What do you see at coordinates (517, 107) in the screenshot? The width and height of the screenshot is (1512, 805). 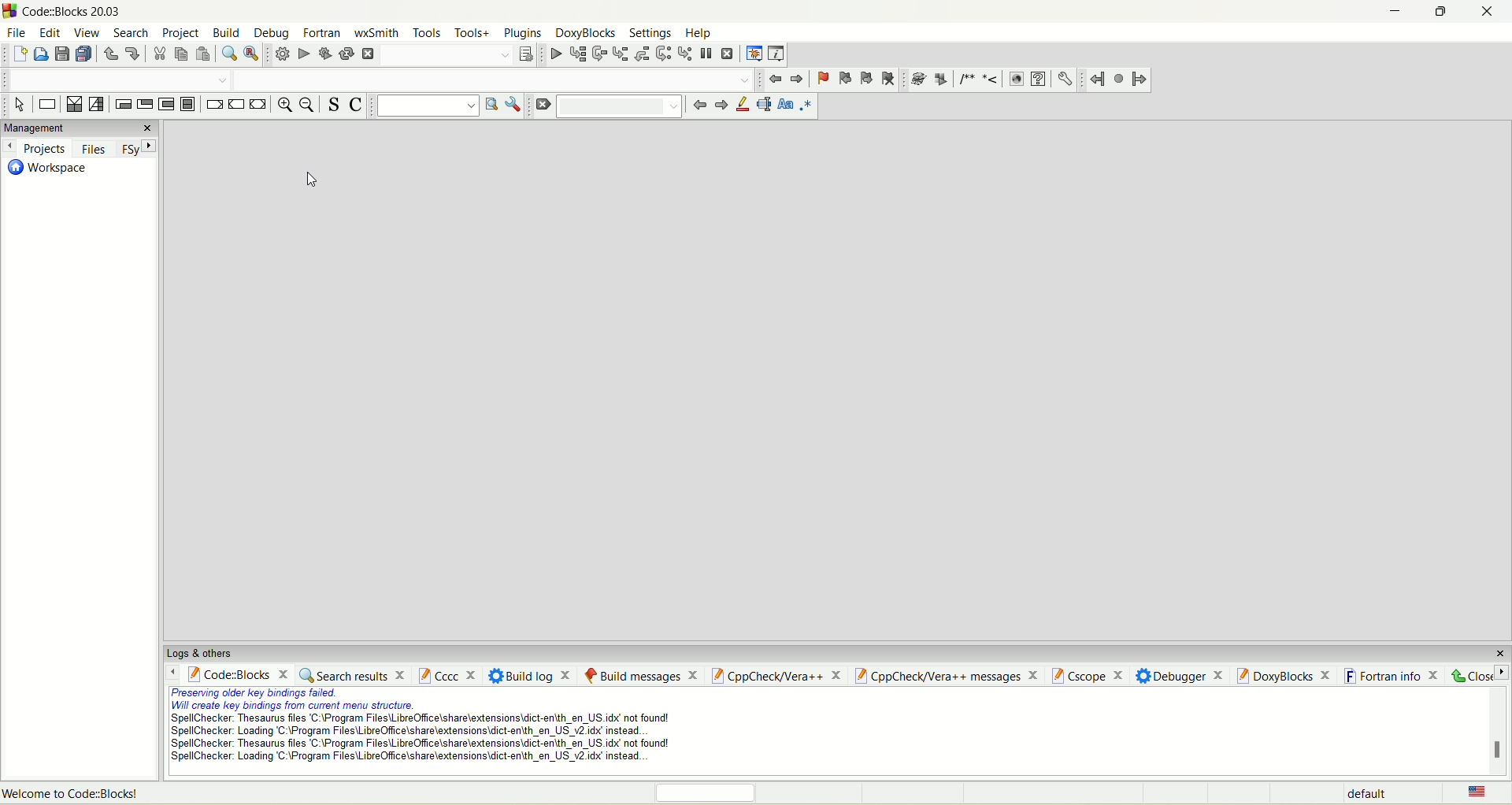 I see `option window` at bounding box center [517, 107].